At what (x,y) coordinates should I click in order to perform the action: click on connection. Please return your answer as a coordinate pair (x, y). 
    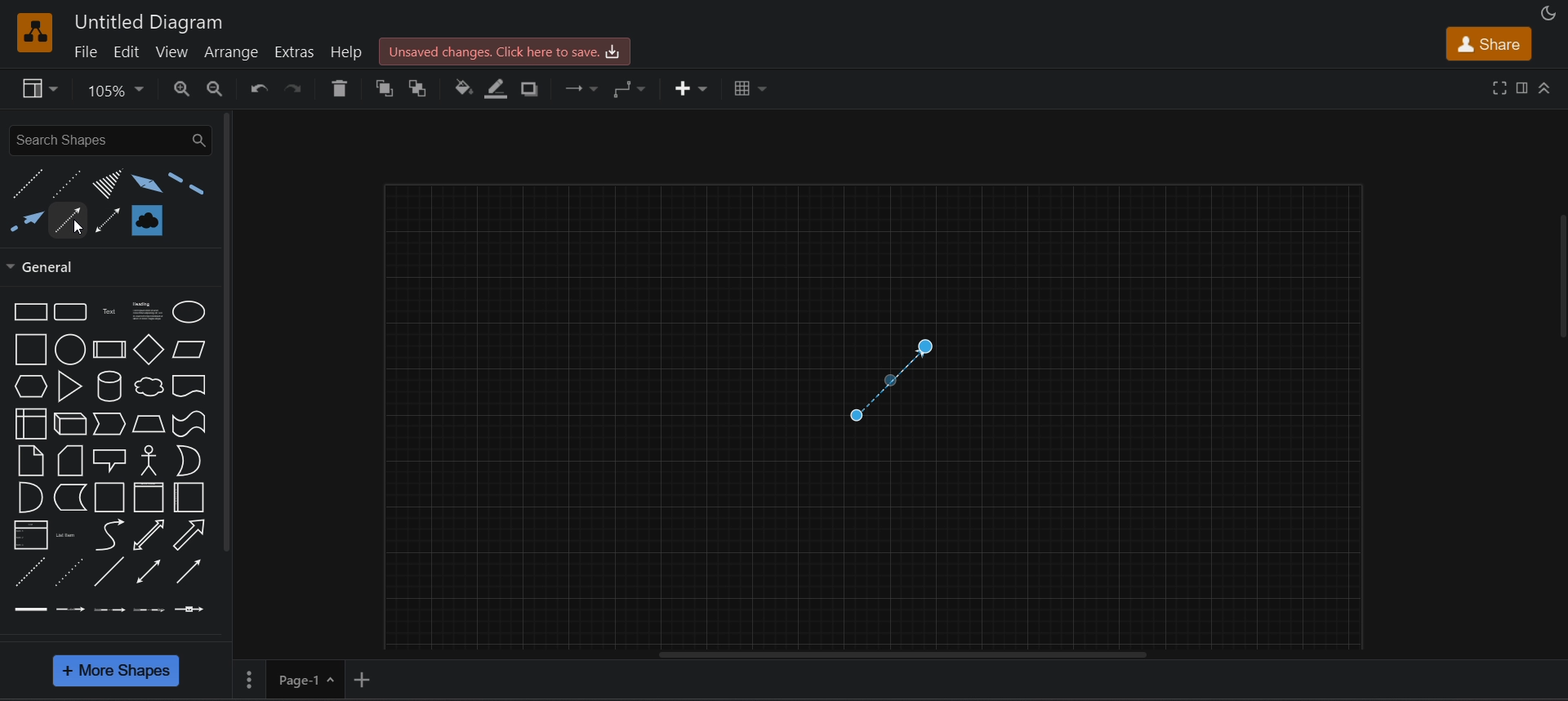
    Looking at the image, I should click on (585, 89).